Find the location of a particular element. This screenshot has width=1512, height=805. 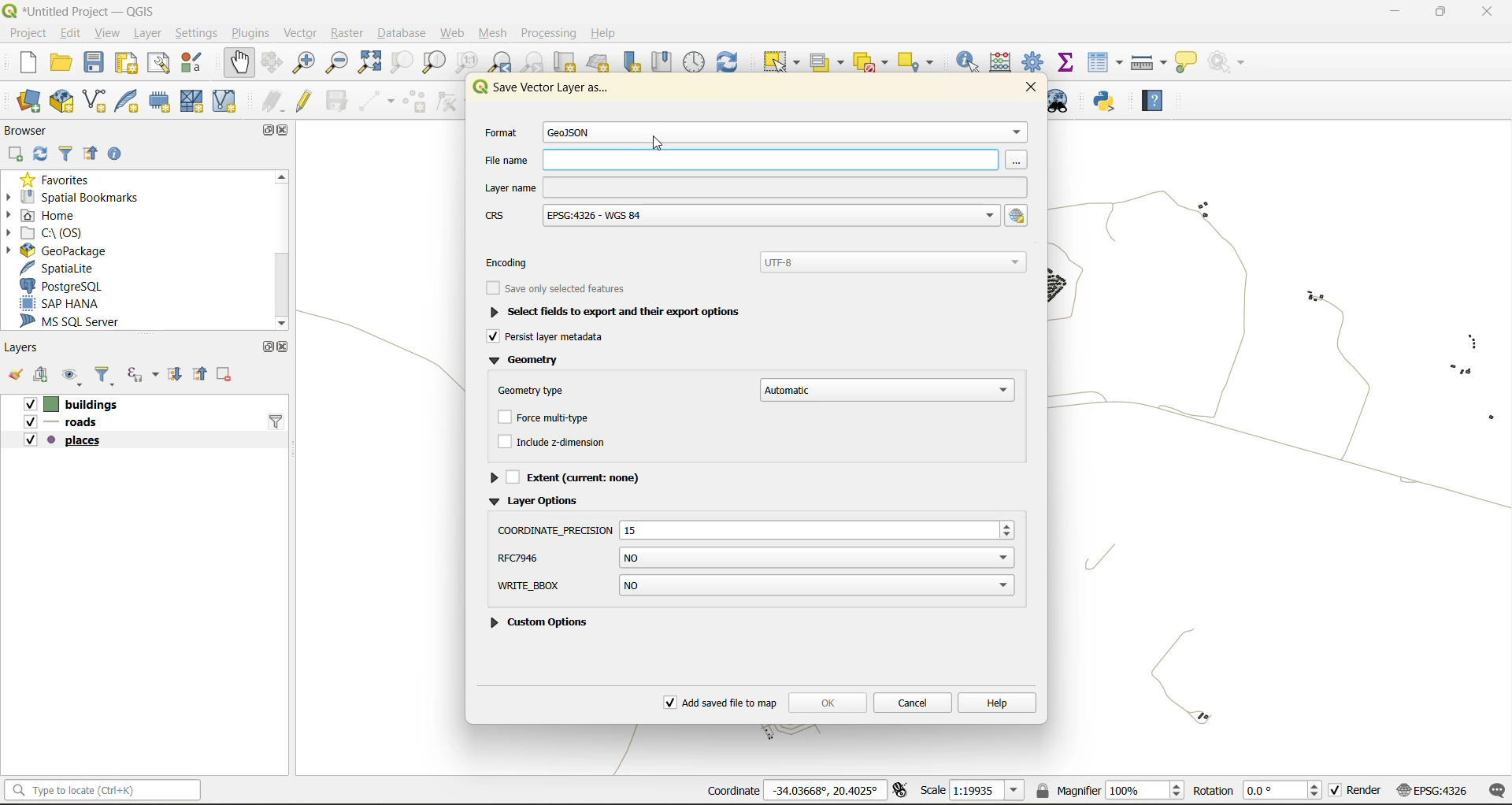

render is located at coordinates (1357, 790).